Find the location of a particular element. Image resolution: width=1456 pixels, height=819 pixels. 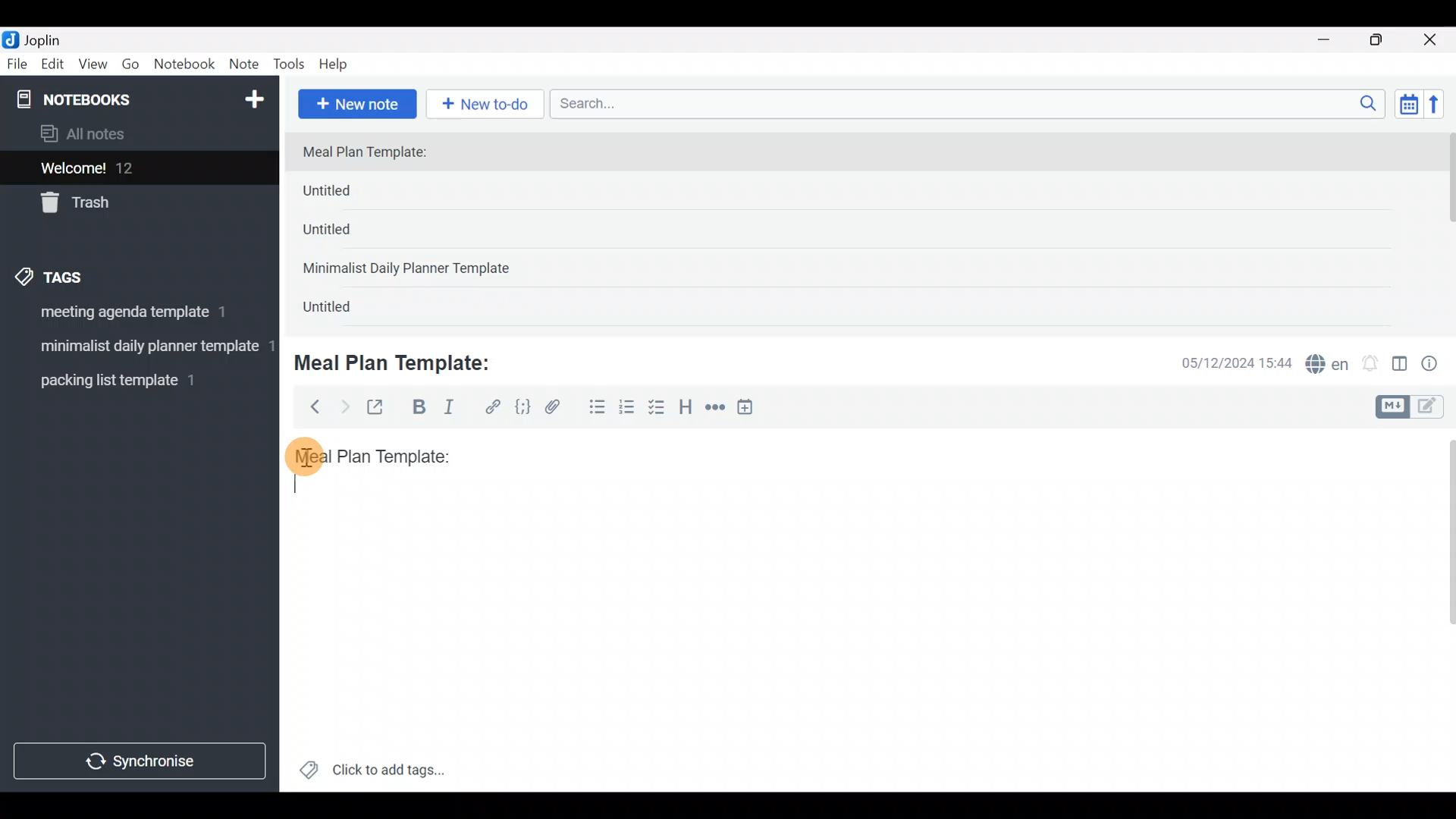

All notes is located at coordinates (136, 135).